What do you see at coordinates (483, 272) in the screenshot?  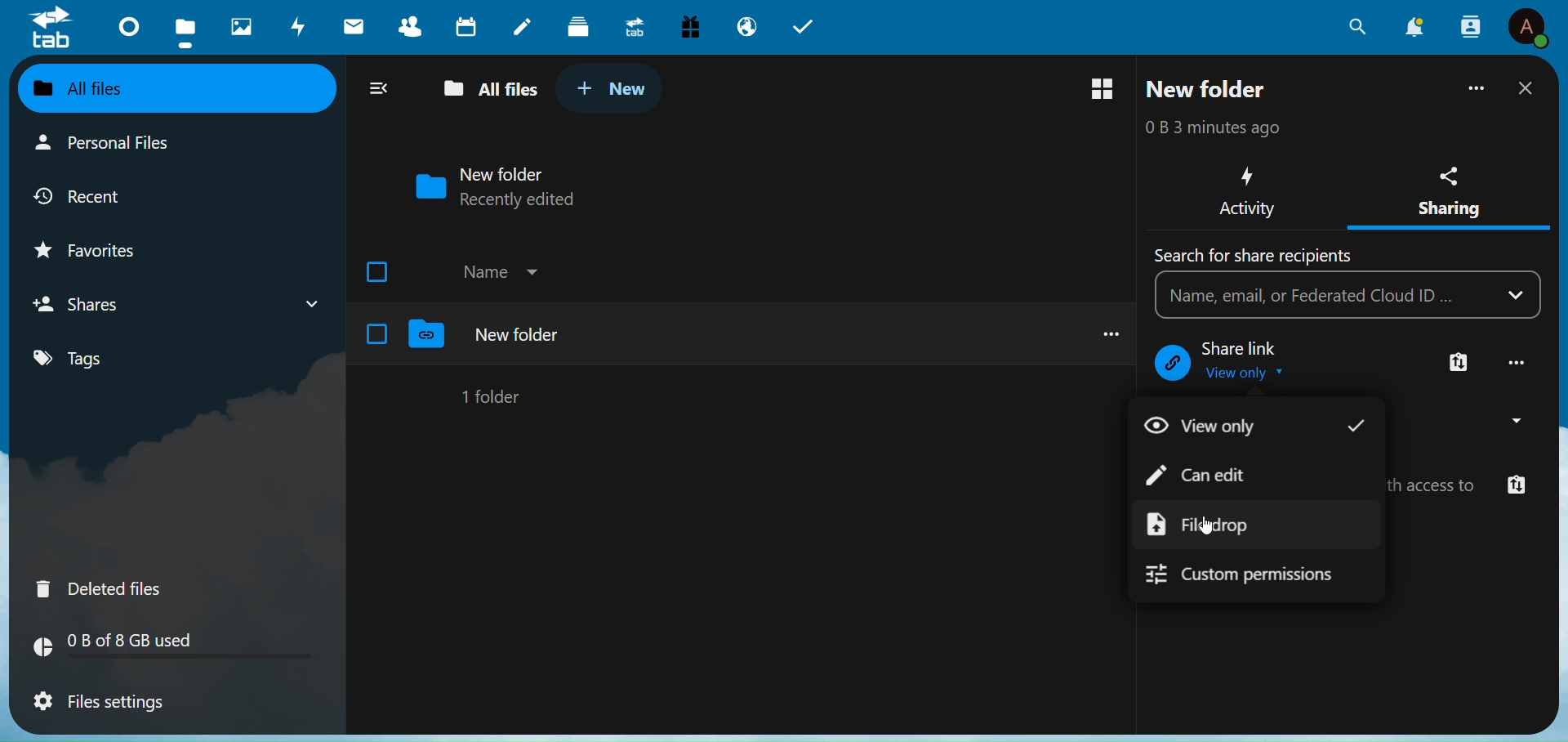 I see `Name` at bounding box center [483, 272].